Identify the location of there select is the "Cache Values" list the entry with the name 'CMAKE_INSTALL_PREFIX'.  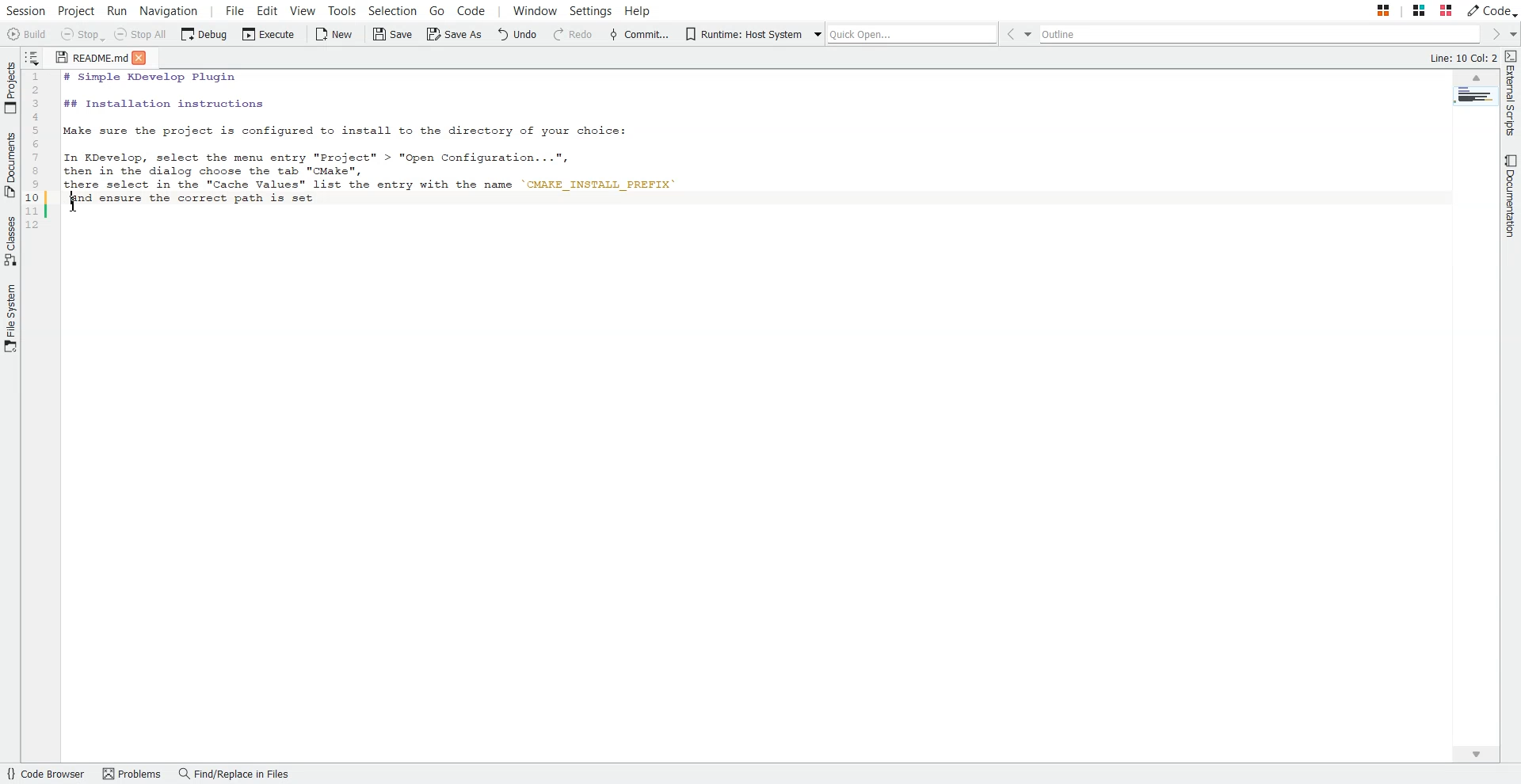
(383, 186).